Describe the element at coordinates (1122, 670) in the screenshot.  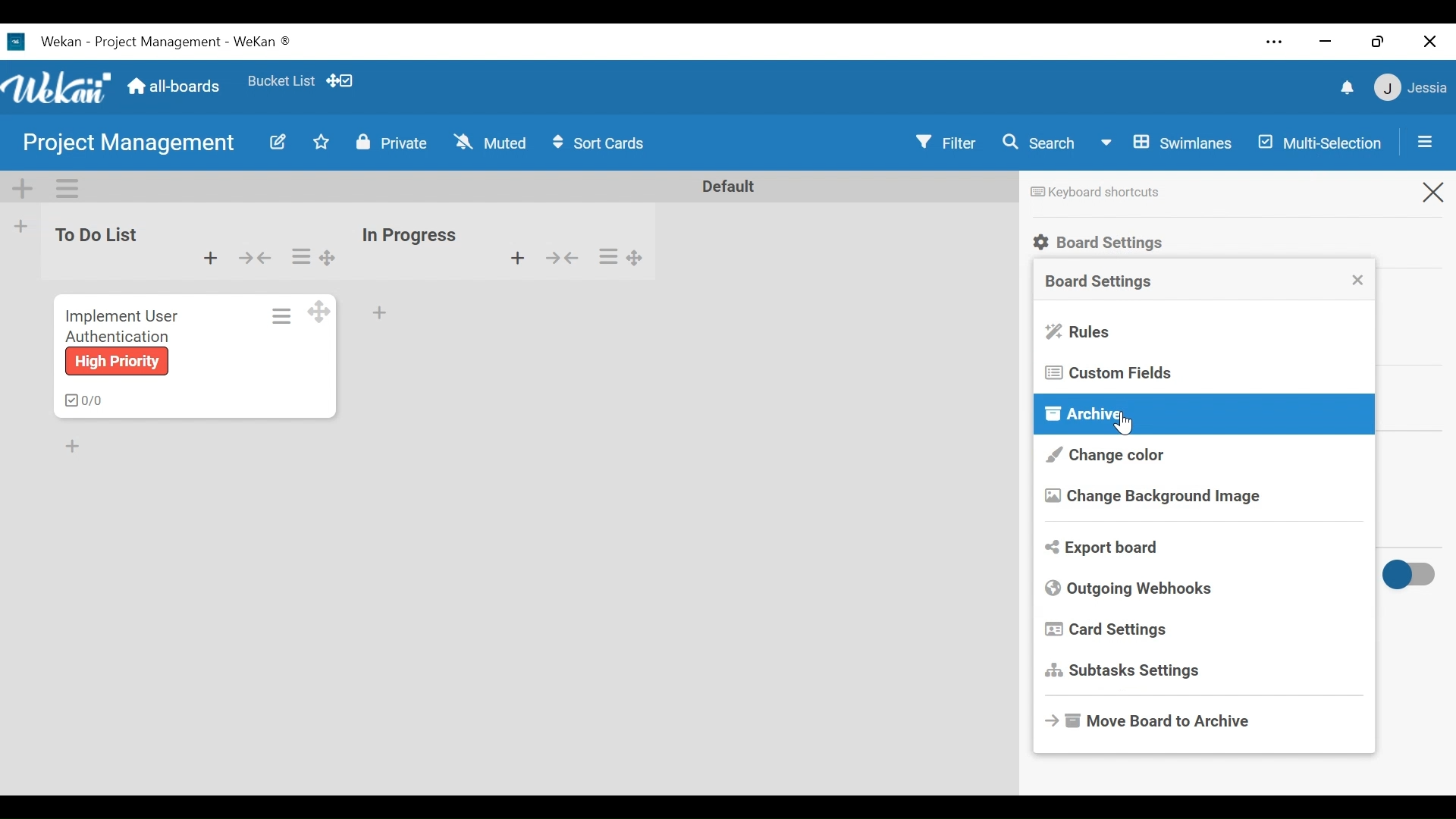
I see `Subtasks Settings` at that location.